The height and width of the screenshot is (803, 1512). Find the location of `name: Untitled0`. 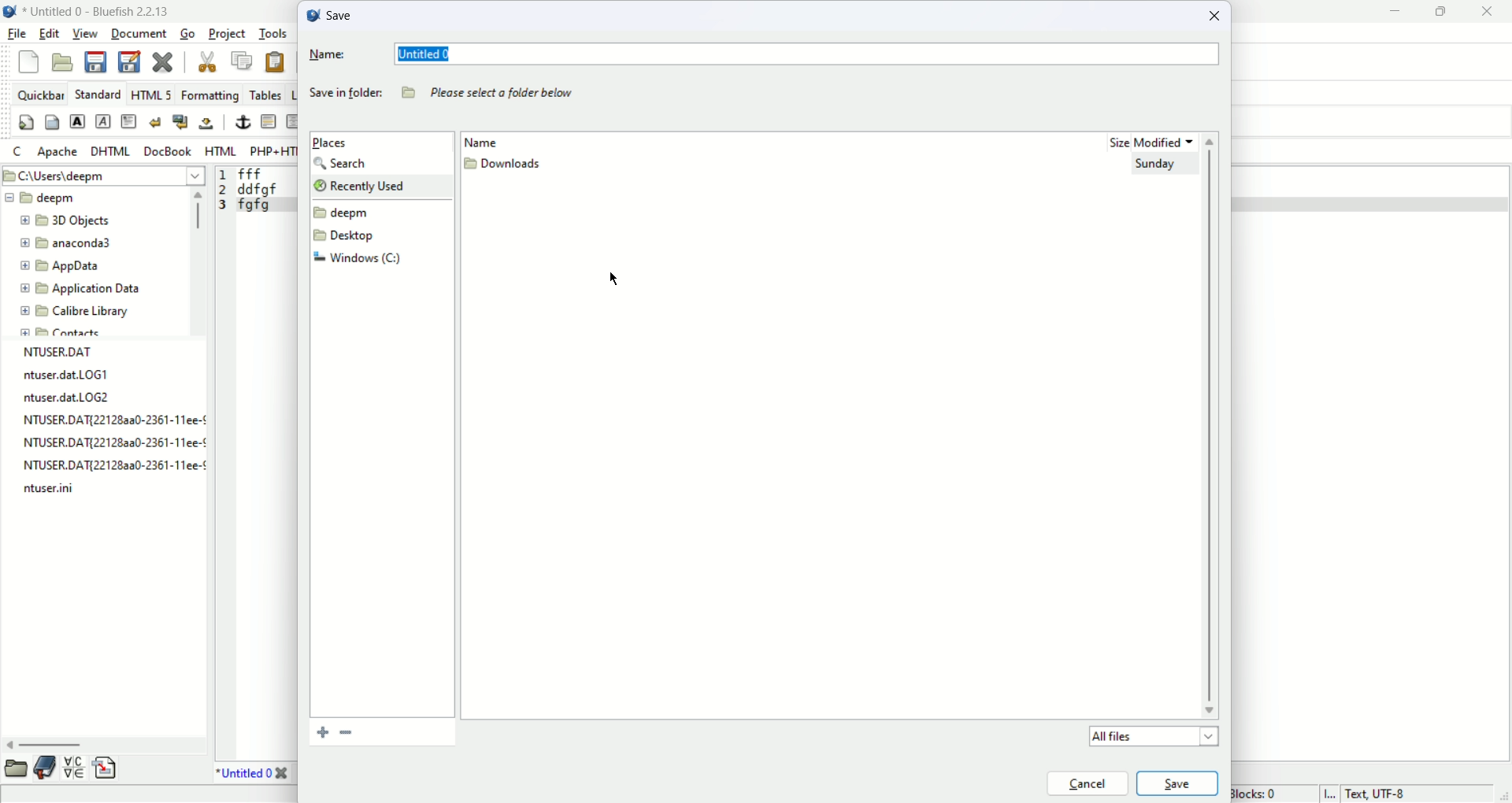

name: Untitled0 is located at coordinates (766, 55).